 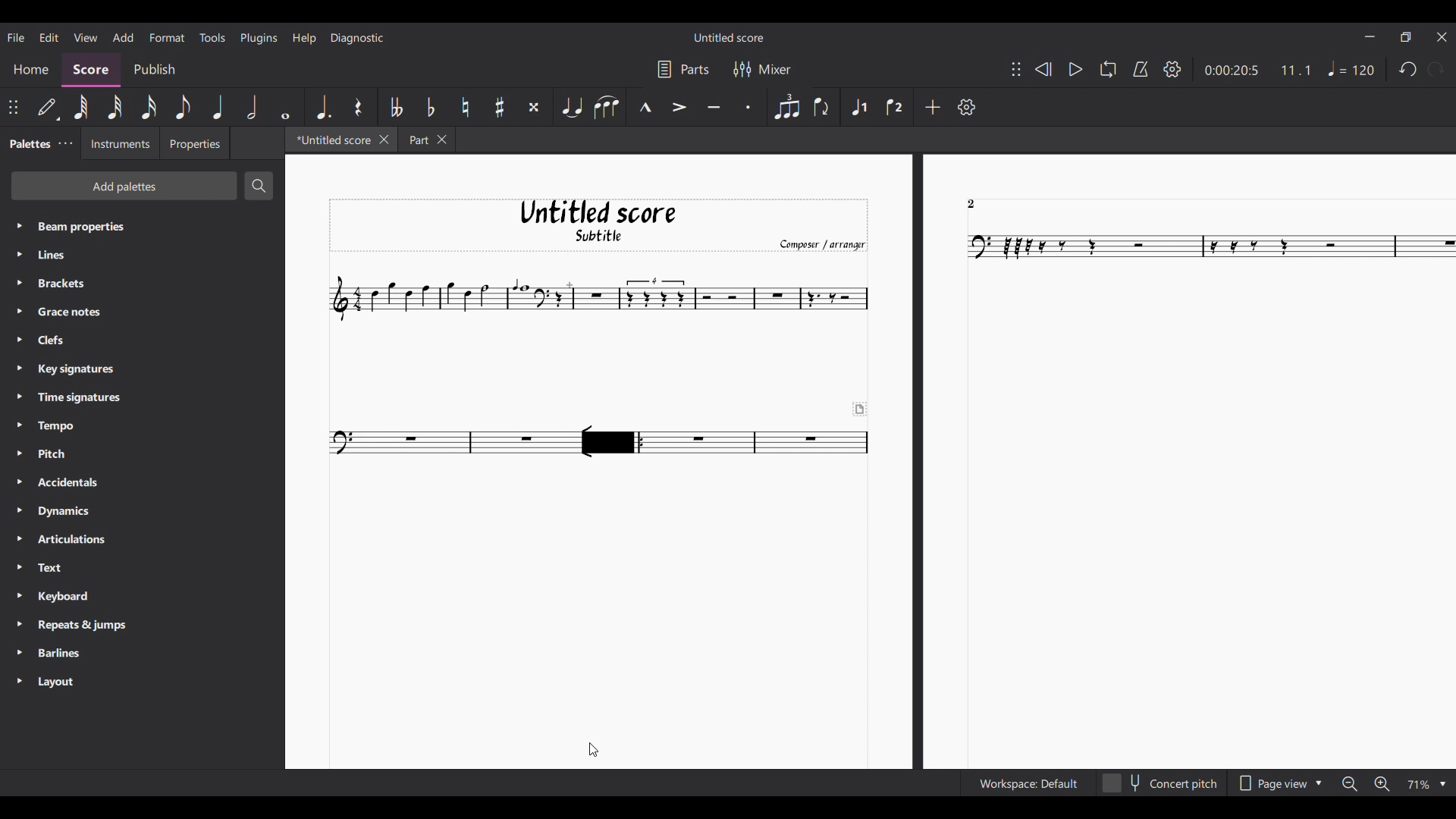 What do you see at coordinates (166, 36) in the screenshot?
I see `Highlighted by cursor` at bounding box center [166, 36].